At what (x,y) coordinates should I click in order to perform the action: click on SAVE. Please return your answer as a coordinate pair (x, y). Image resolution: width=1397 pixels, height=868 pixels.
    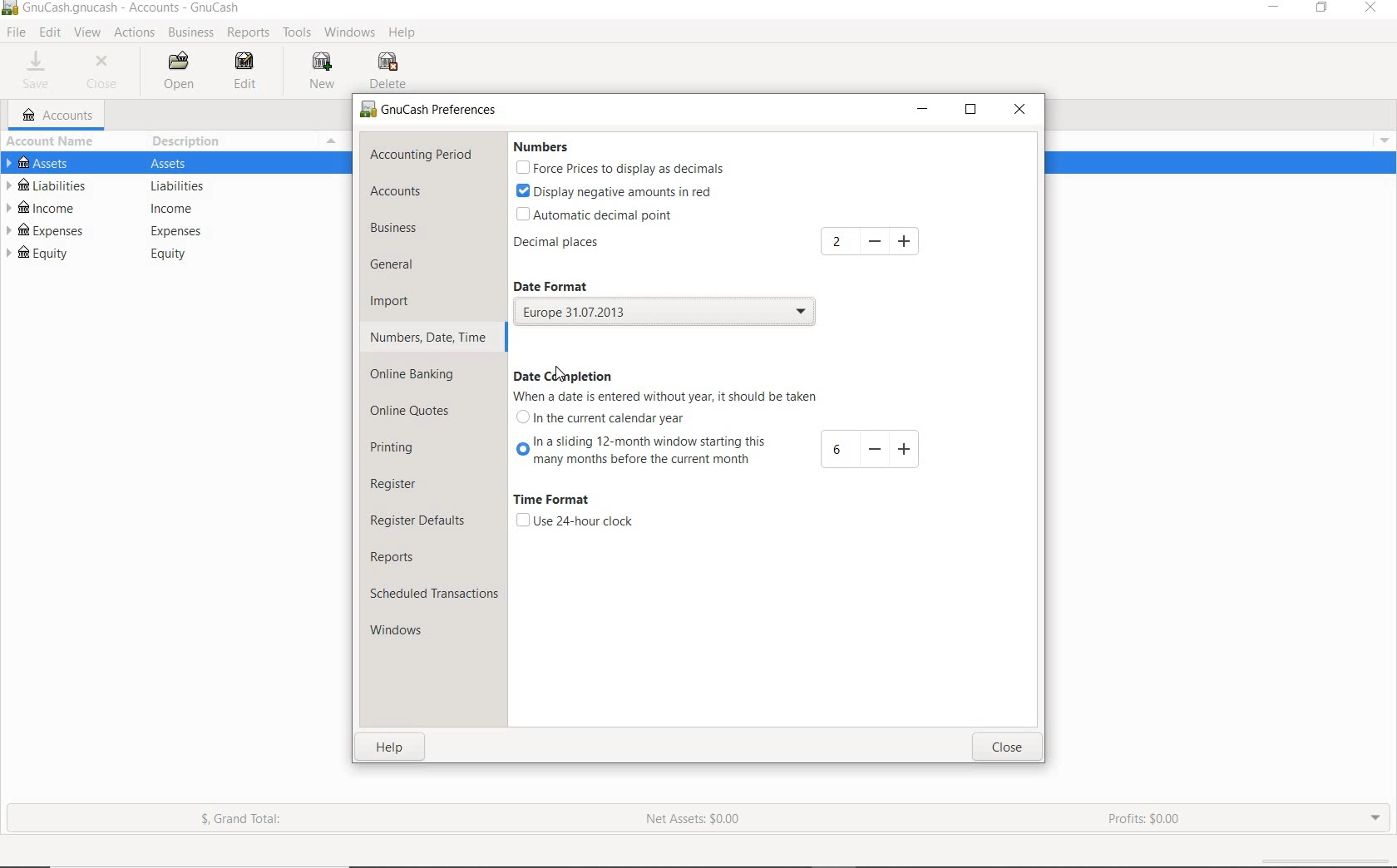
    Looking at the image, I should click on (37, 72).